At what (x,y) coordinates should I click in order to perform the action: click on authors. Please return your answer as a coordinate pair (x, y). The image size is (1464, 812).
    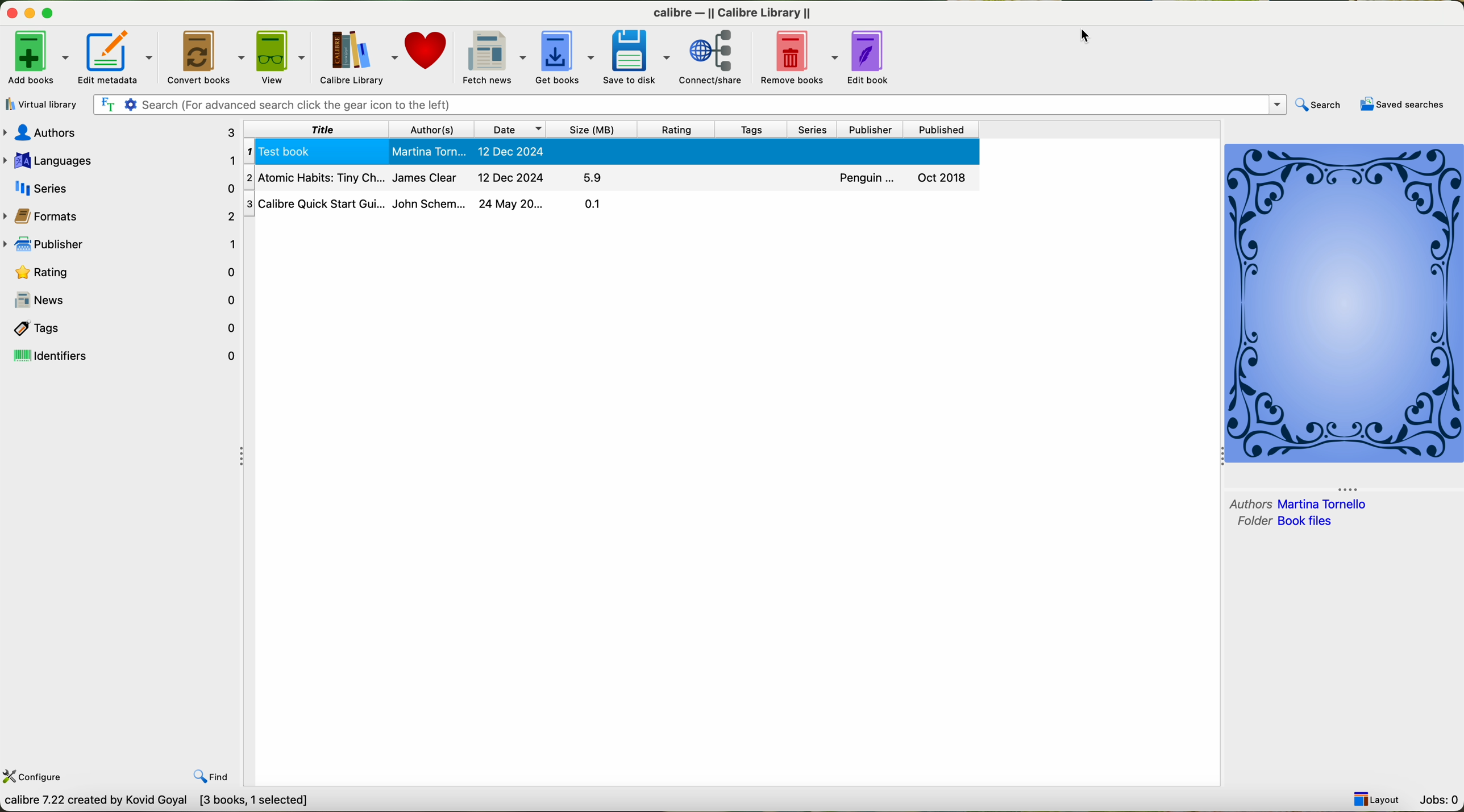
    Looking at the image, I should click on (436, 130).